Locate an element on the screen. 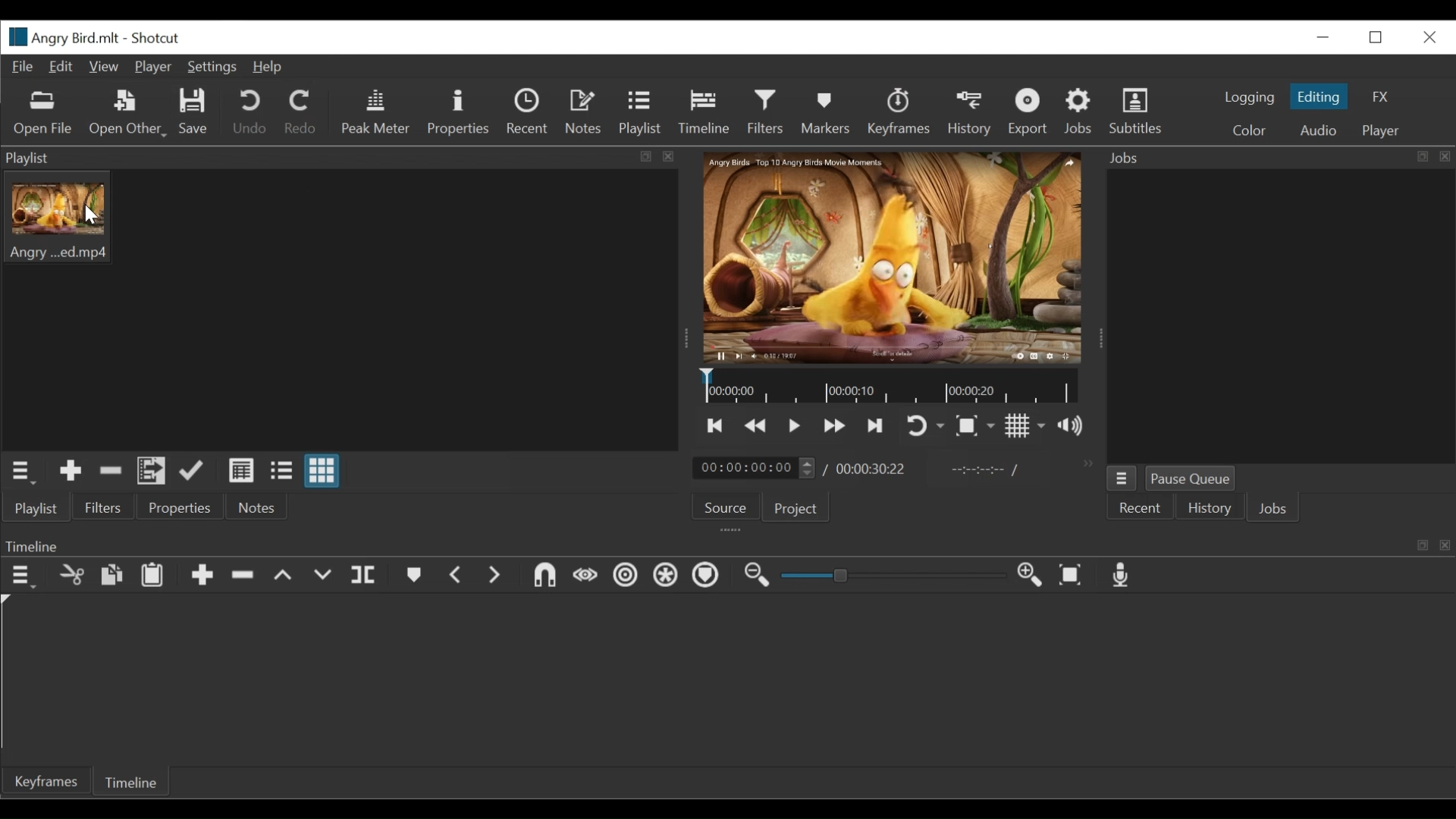  logging is located at coordinates (1250, 97).